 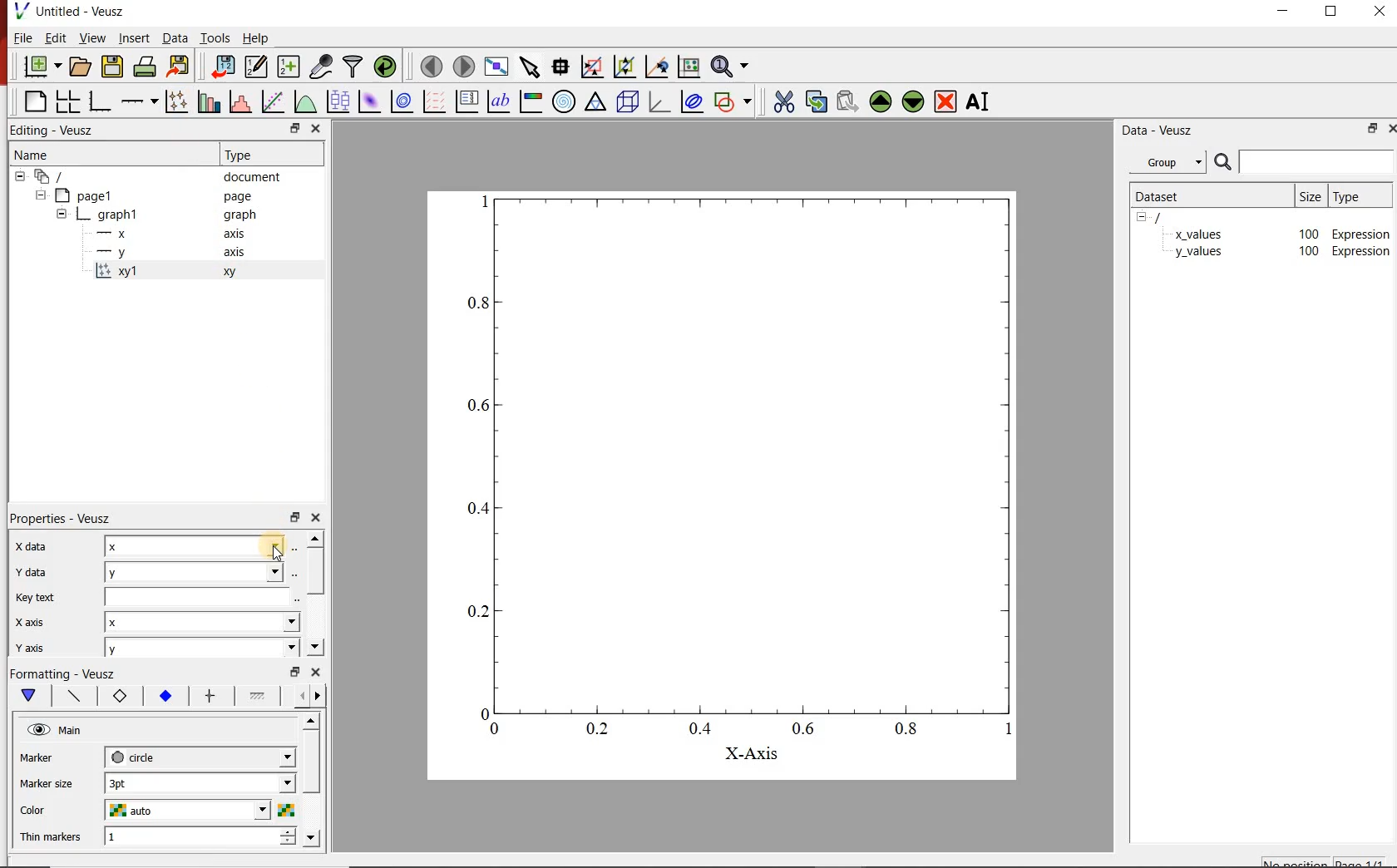 I want to click on import data into veusz, so click(x=223, y=67).